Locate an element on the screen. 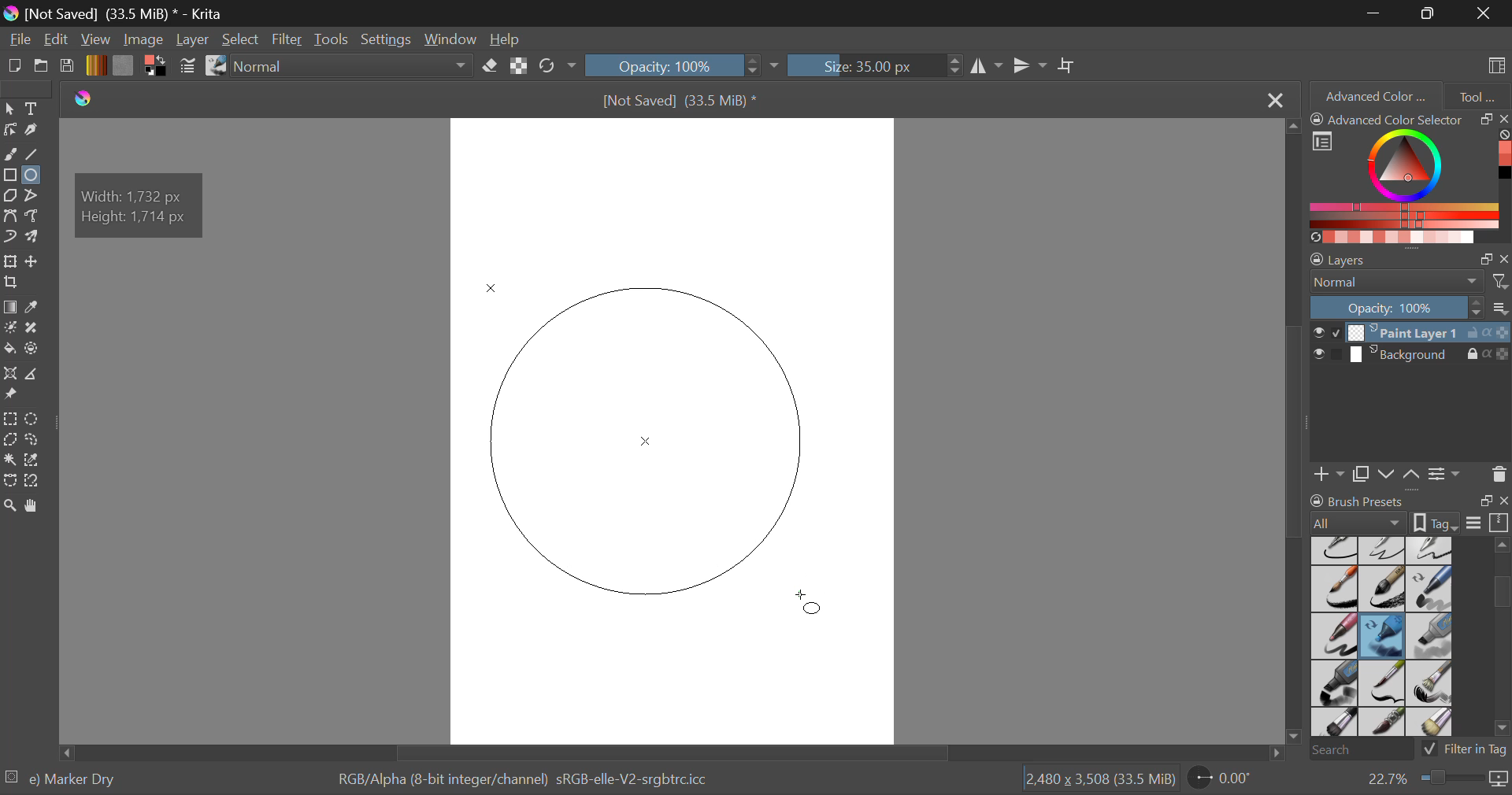  Ink-8 Sumi-e is located at coordinates (1382, 590).